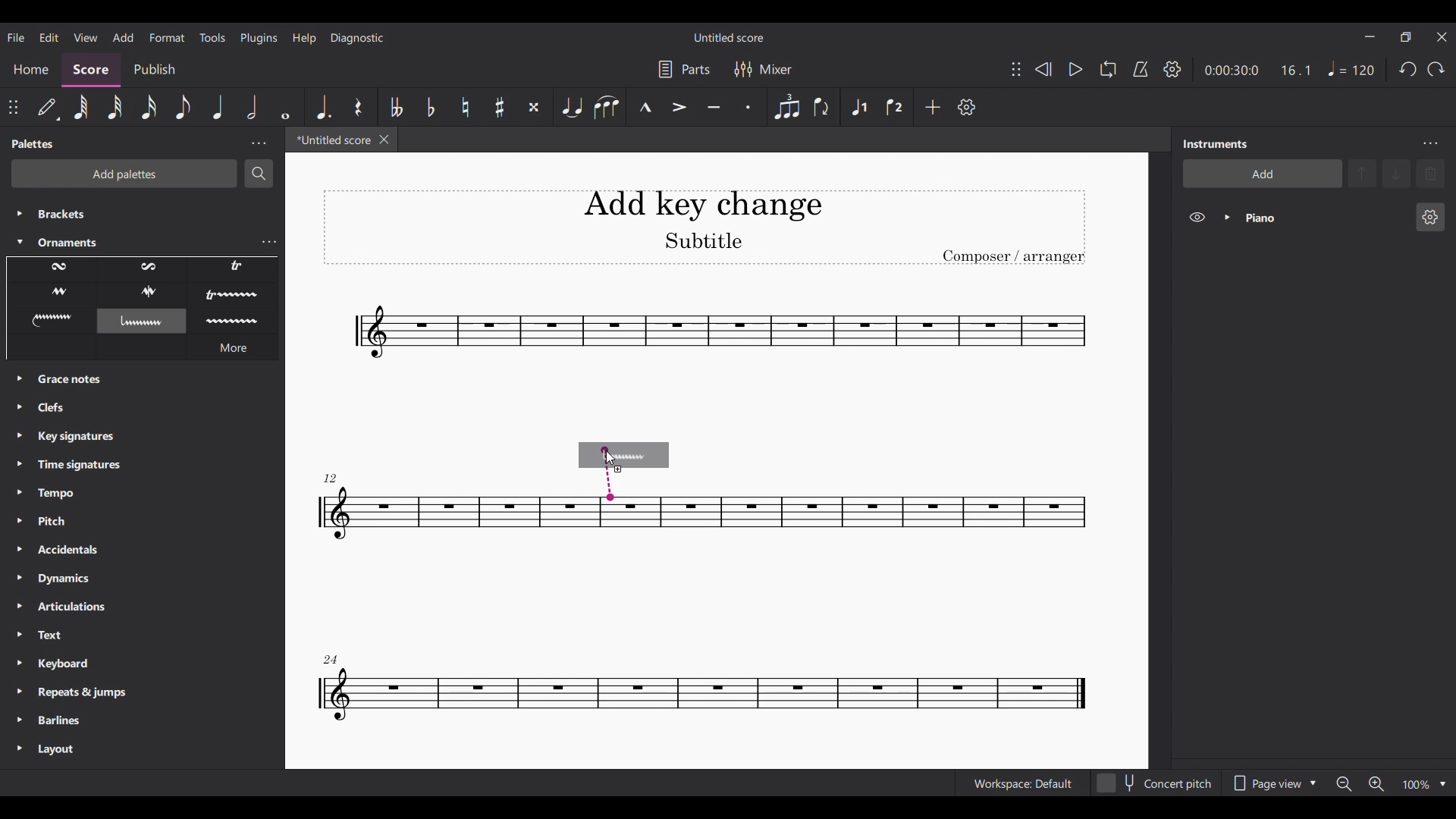 This screenshot has height=819, width=1456. What do you see at coordinates (286, 106) in the screenshot?
I see `Whole note` at bounding box center [286, 106].